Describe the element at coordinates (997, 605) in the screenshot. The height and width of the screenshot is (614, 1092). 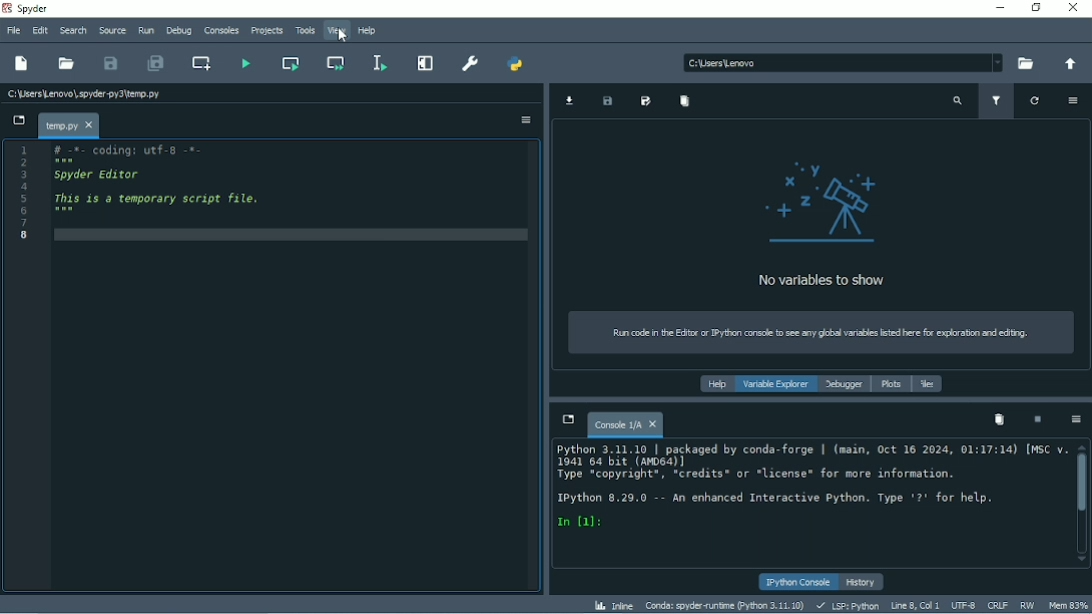
I see `CRLF` at that location.